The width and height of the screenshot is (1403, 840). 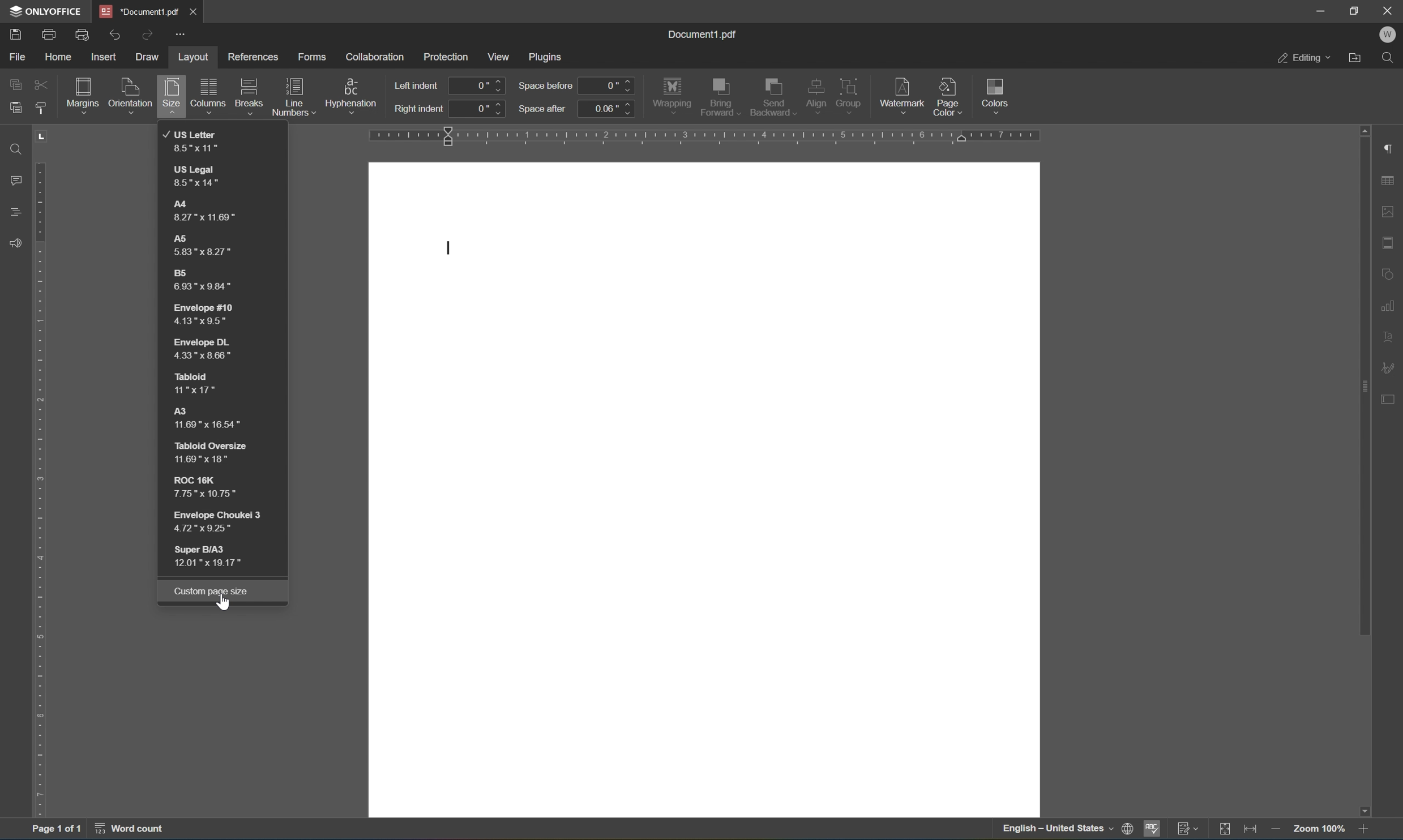 I want to click on hypernation, so click(x=353, y=93).